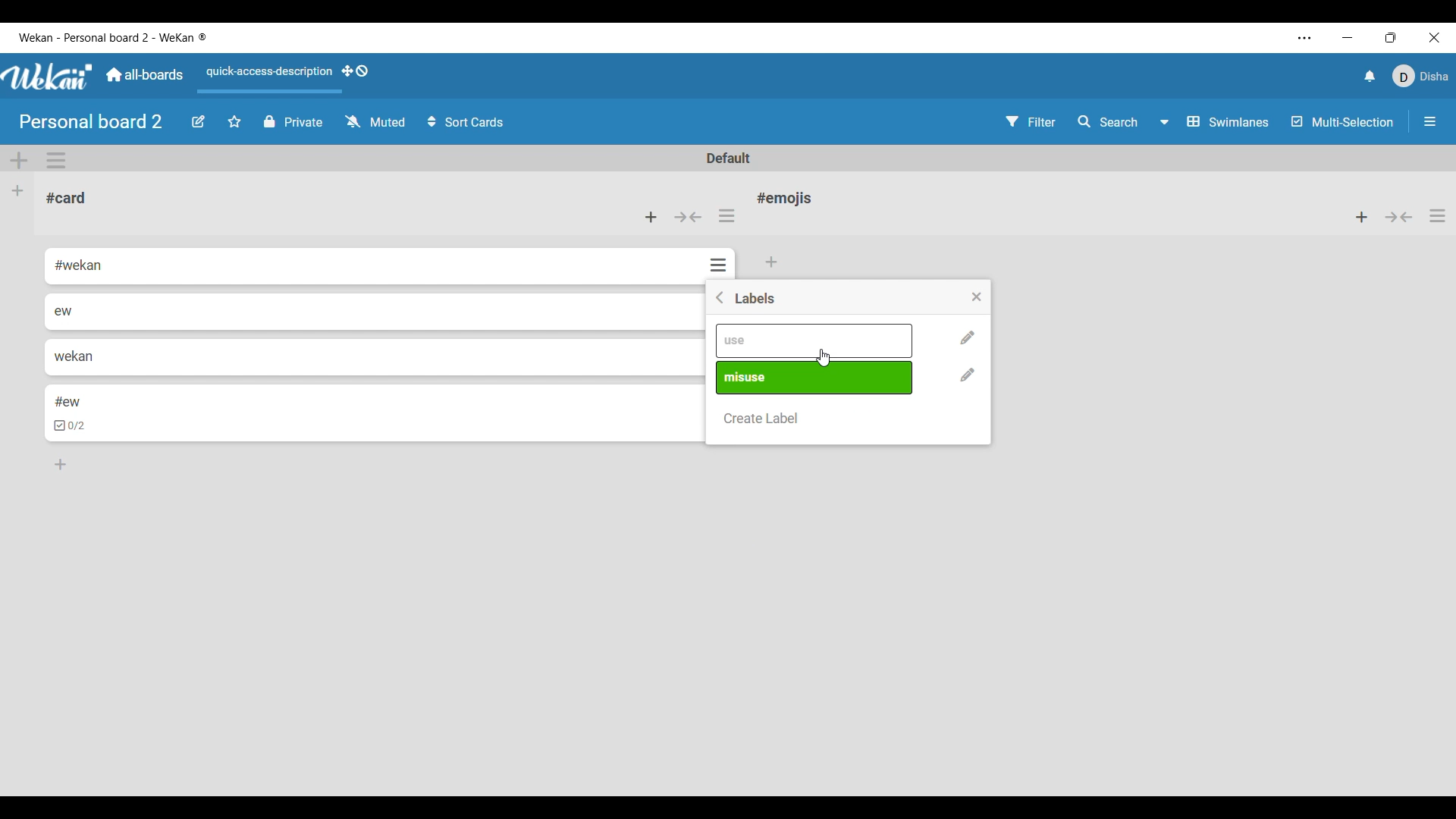  What do you see at coordinates (73, 356) in the screenshot?
I see `wekan` at bounding box center [73, 356].